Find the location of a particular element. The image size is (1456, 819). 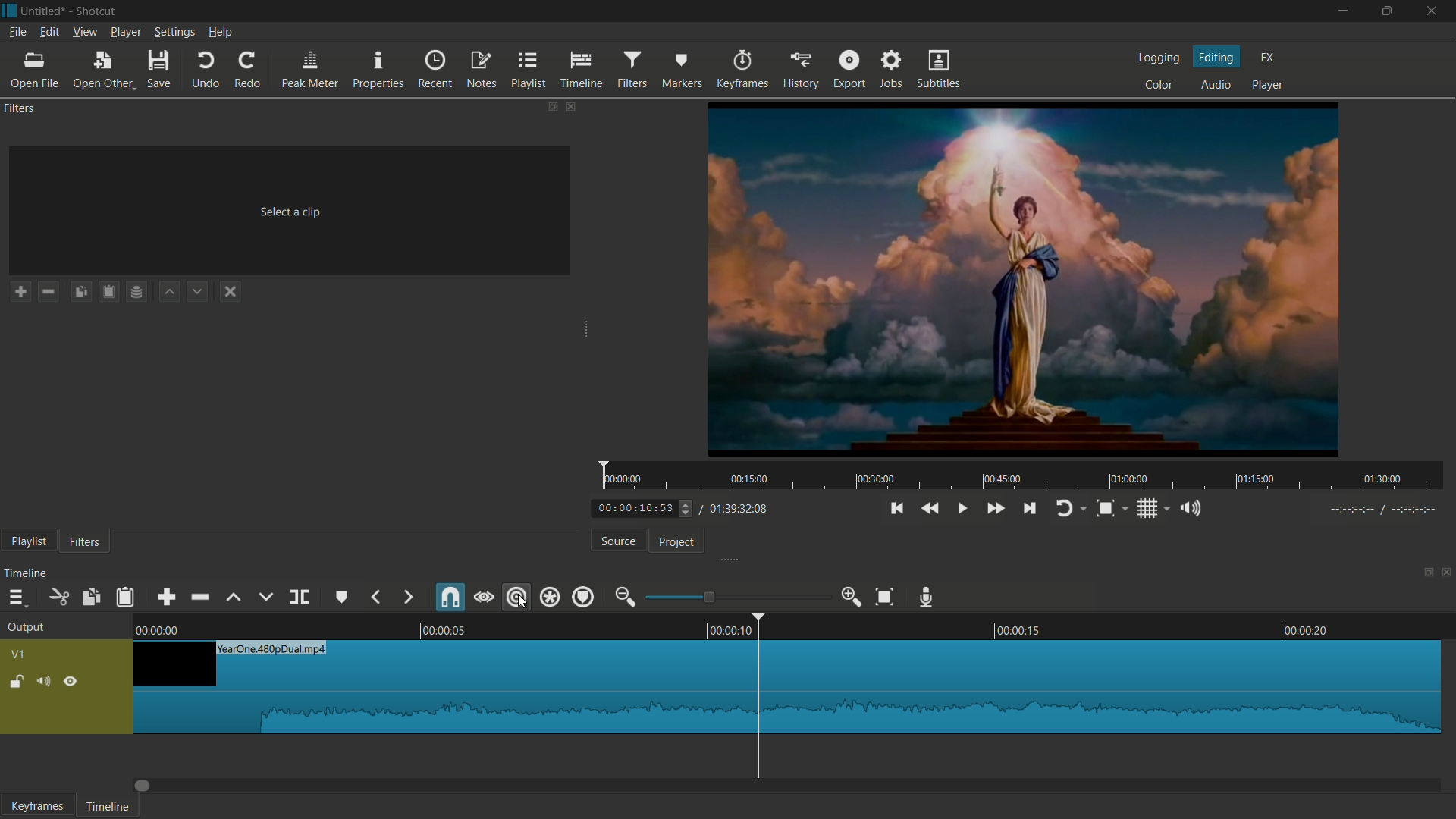

split at playhead is located at coordinates (298, 598).